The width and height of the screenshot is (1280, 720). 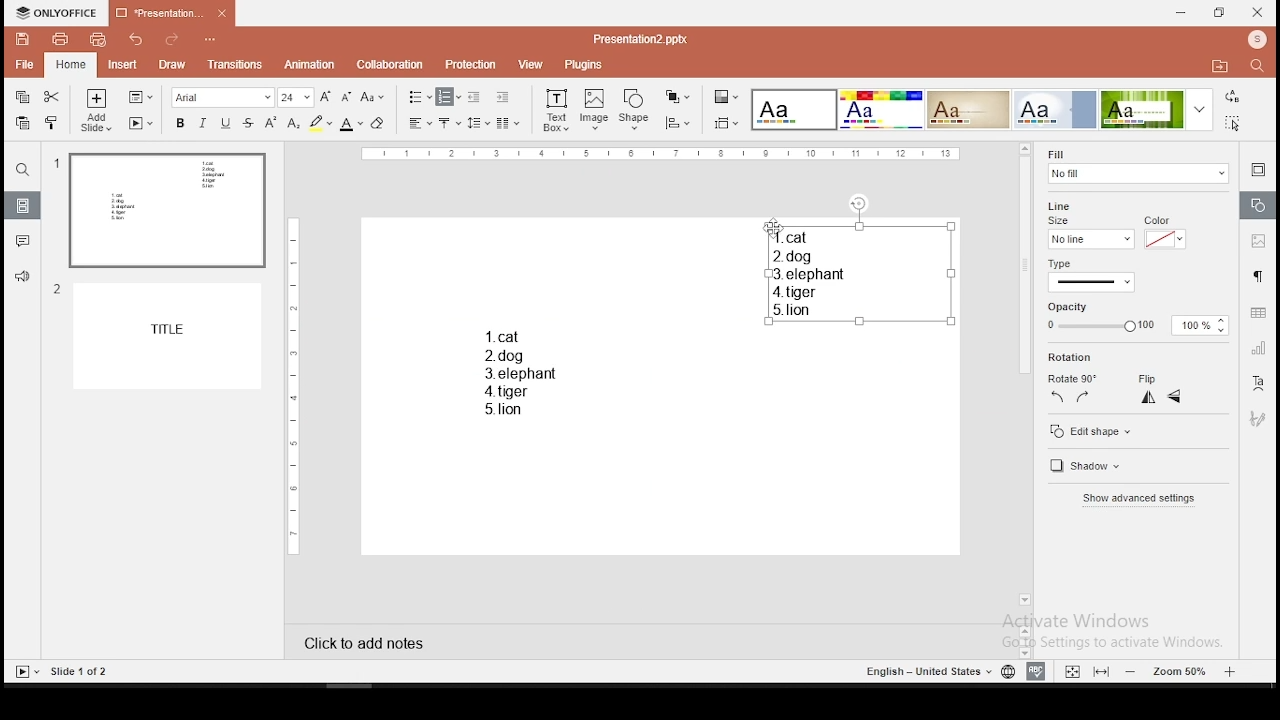 I want to click on bold, so click(x=178, y=122).